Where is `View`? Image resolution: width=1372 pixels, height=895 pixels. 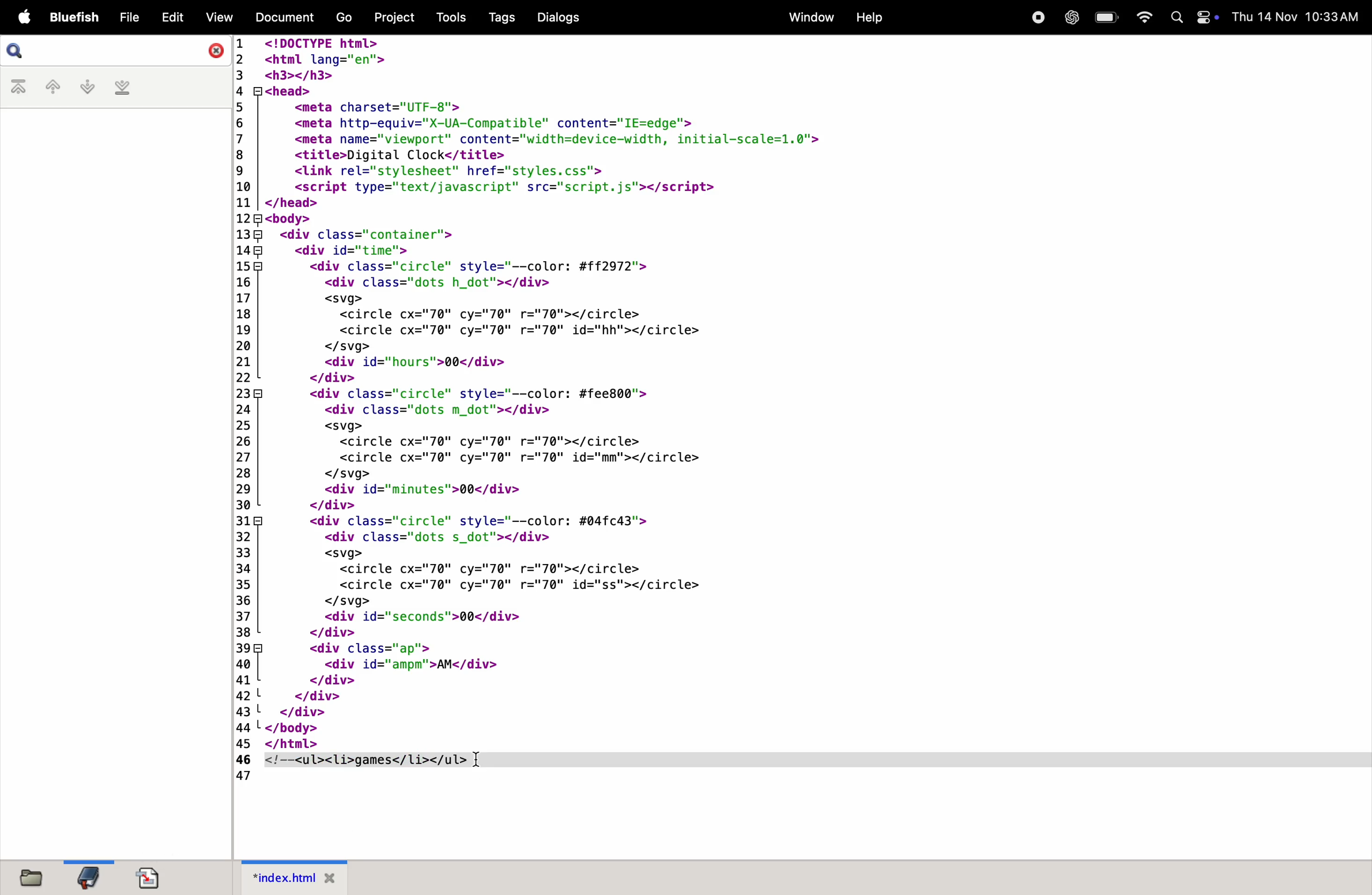
View is located at coordinates (219, 17).